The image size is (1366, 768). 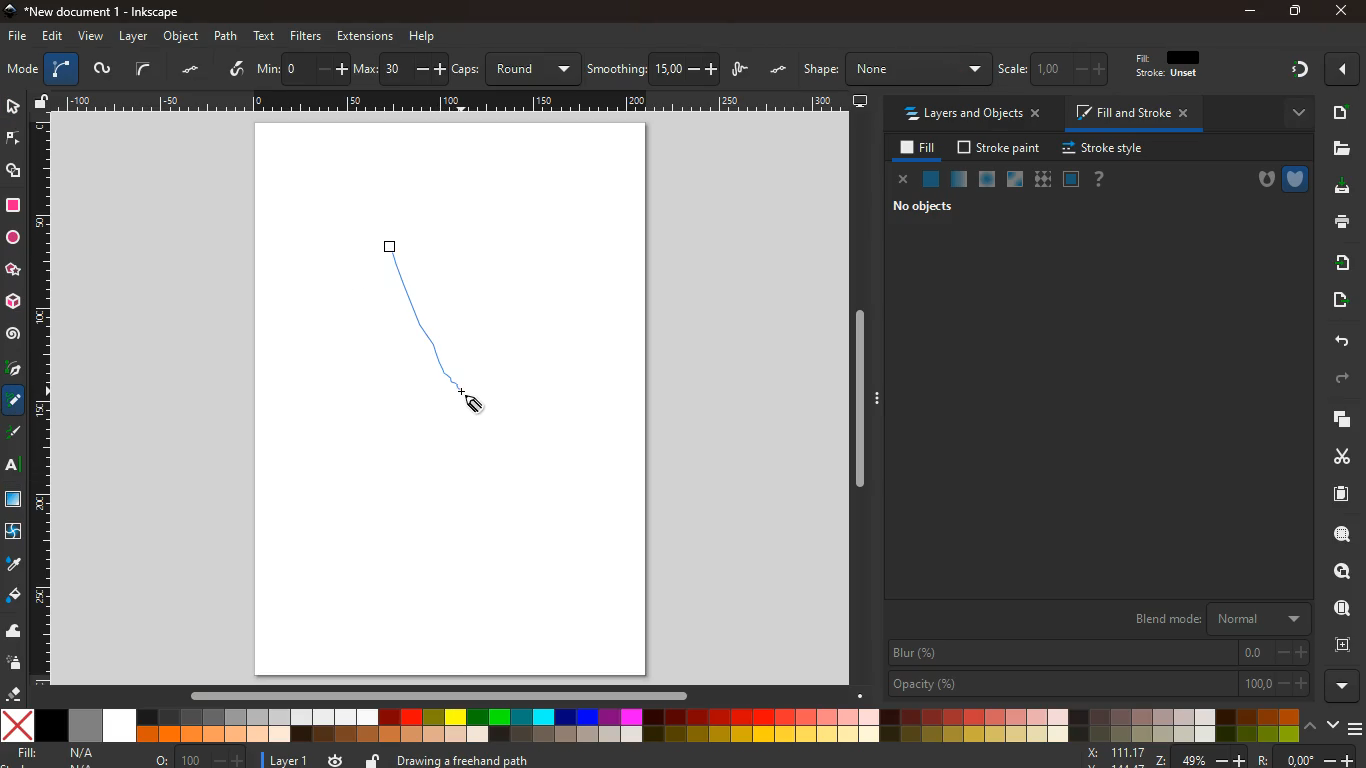 What do you see at coordinates (1336, 456) in the screenshot?
I see `cut` at bounding box center [1336, 456].